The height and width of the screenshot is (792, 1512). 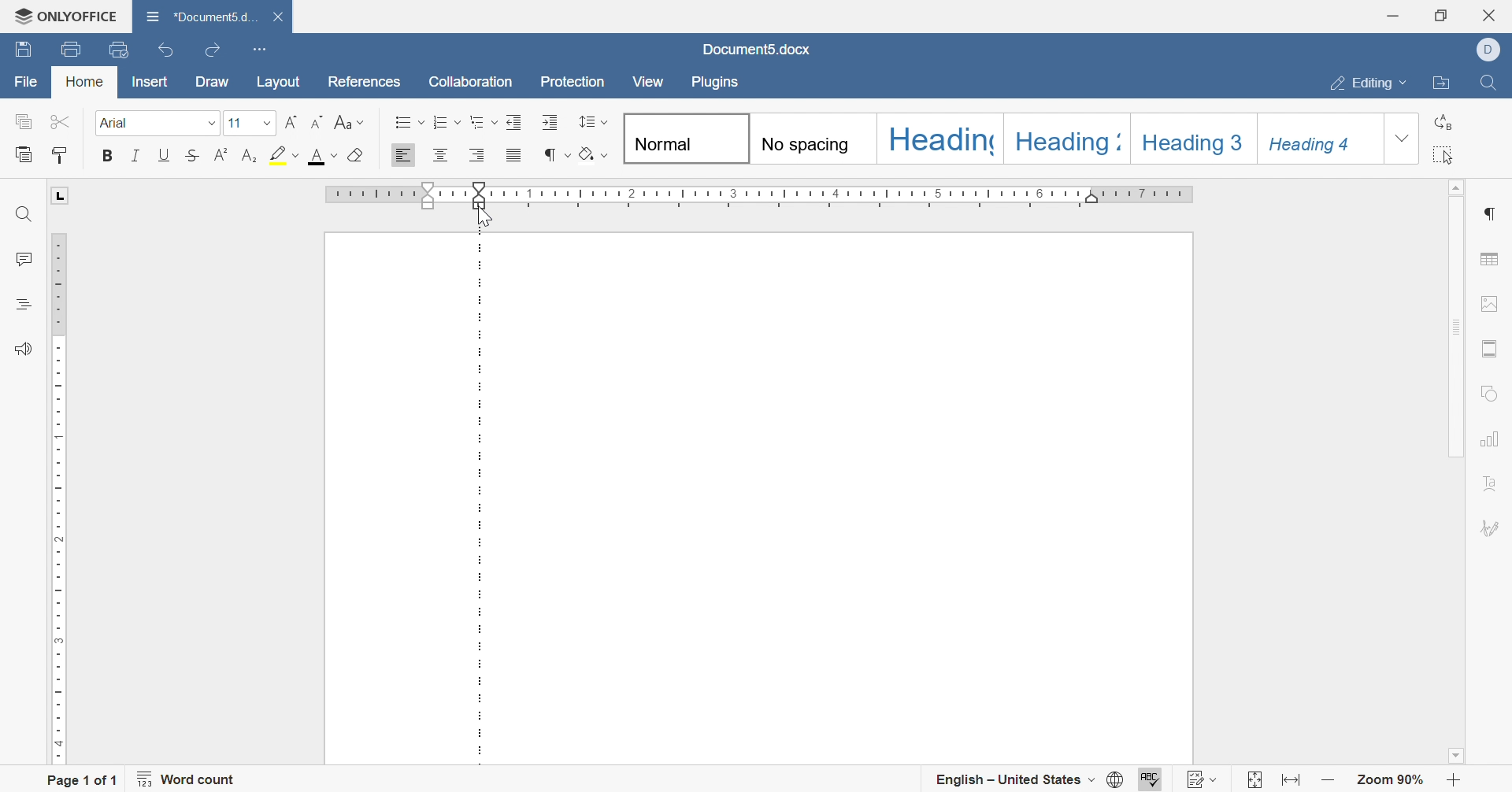 What do you see at coordinates (1290, 780) in the screenshot?
I see `fit to width` at bounding box center [1290, 780].